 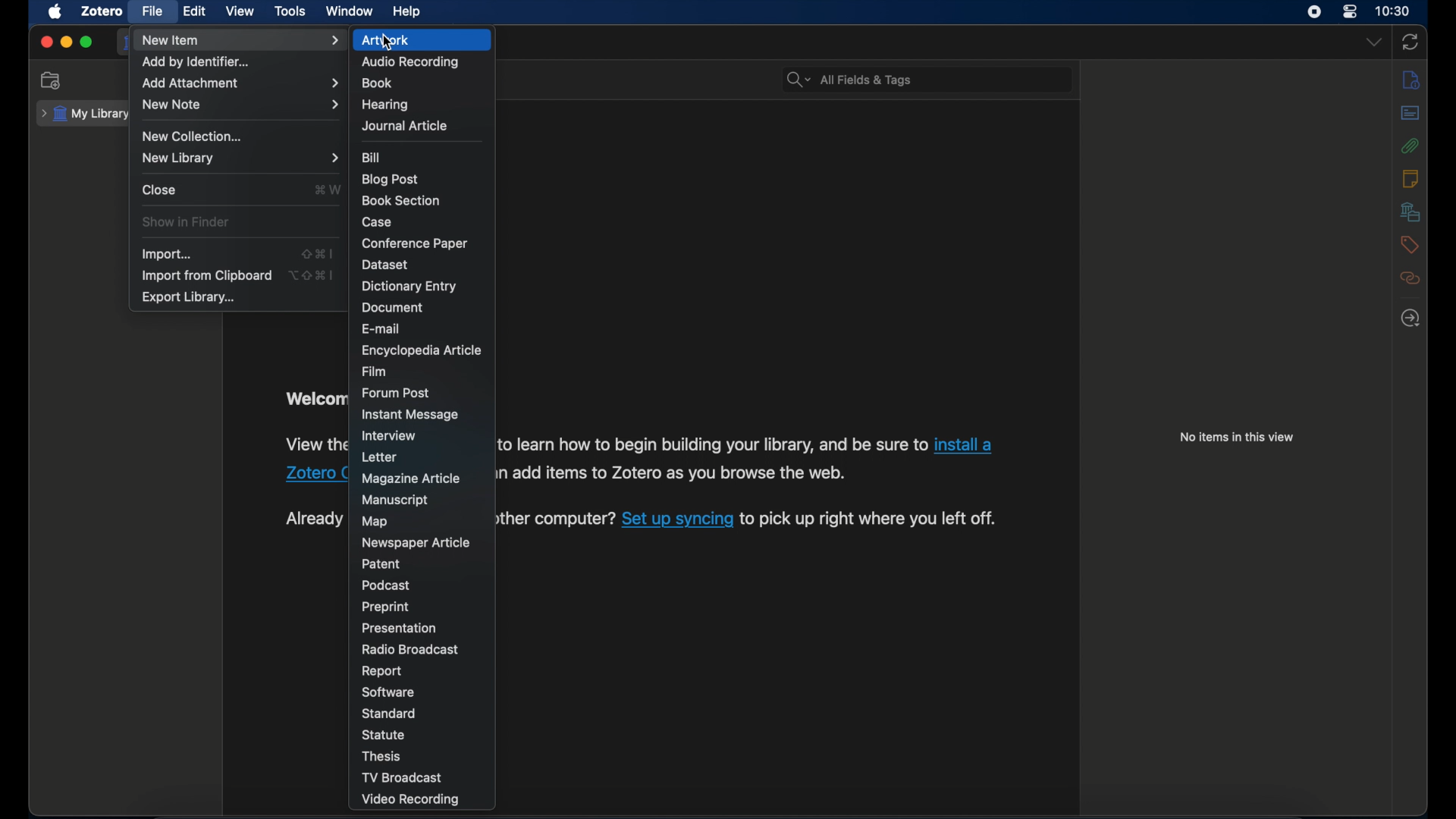 I want to click on journal article, so click(x=404, y=125).